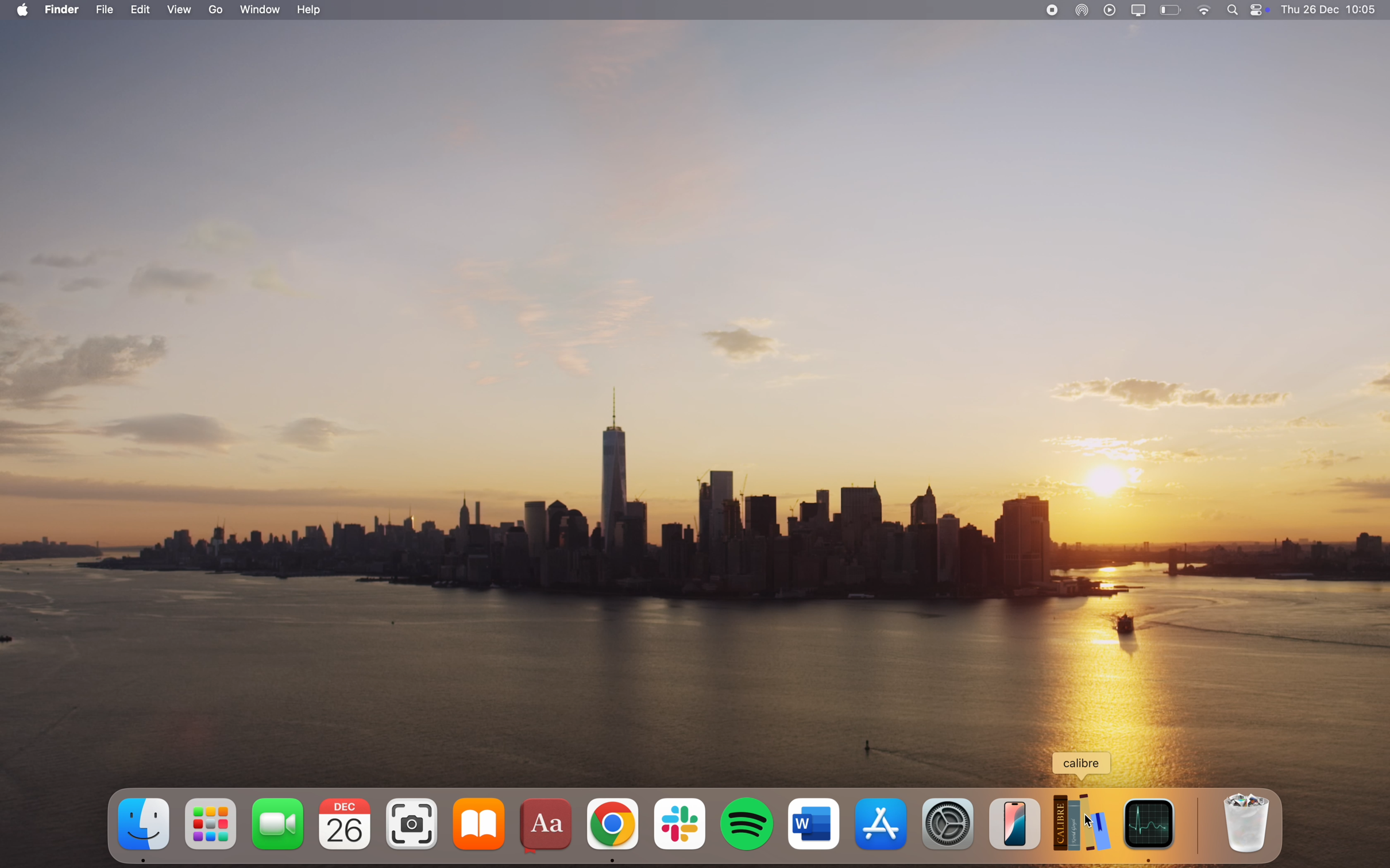  What do you see at coordinates (679, 821) in the screenshot?
I see `Slack` at bounding box center [679, 821].